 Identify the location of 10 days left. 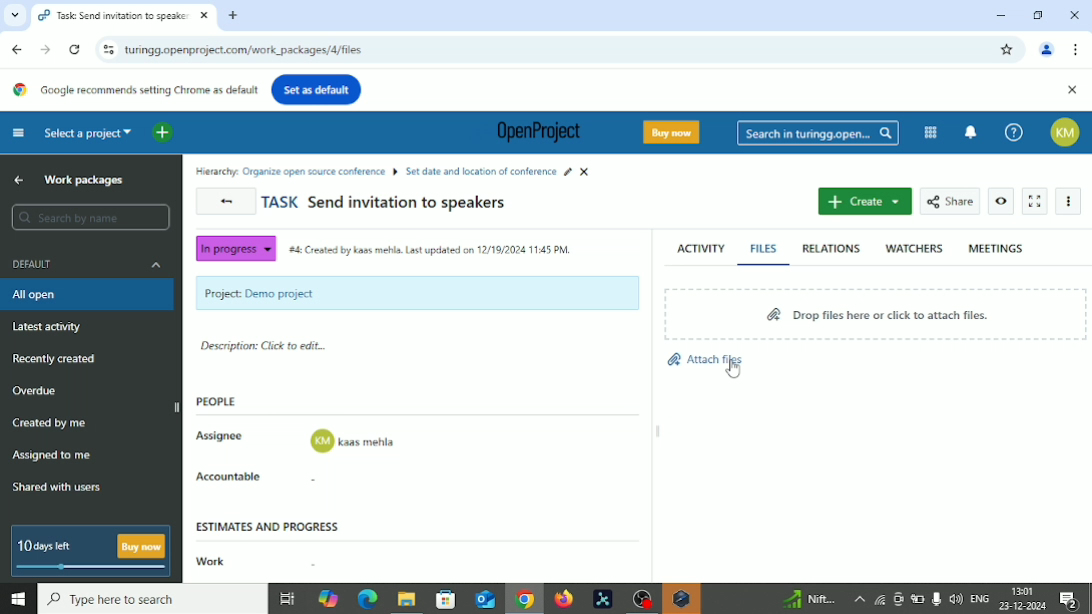
(46, 547).